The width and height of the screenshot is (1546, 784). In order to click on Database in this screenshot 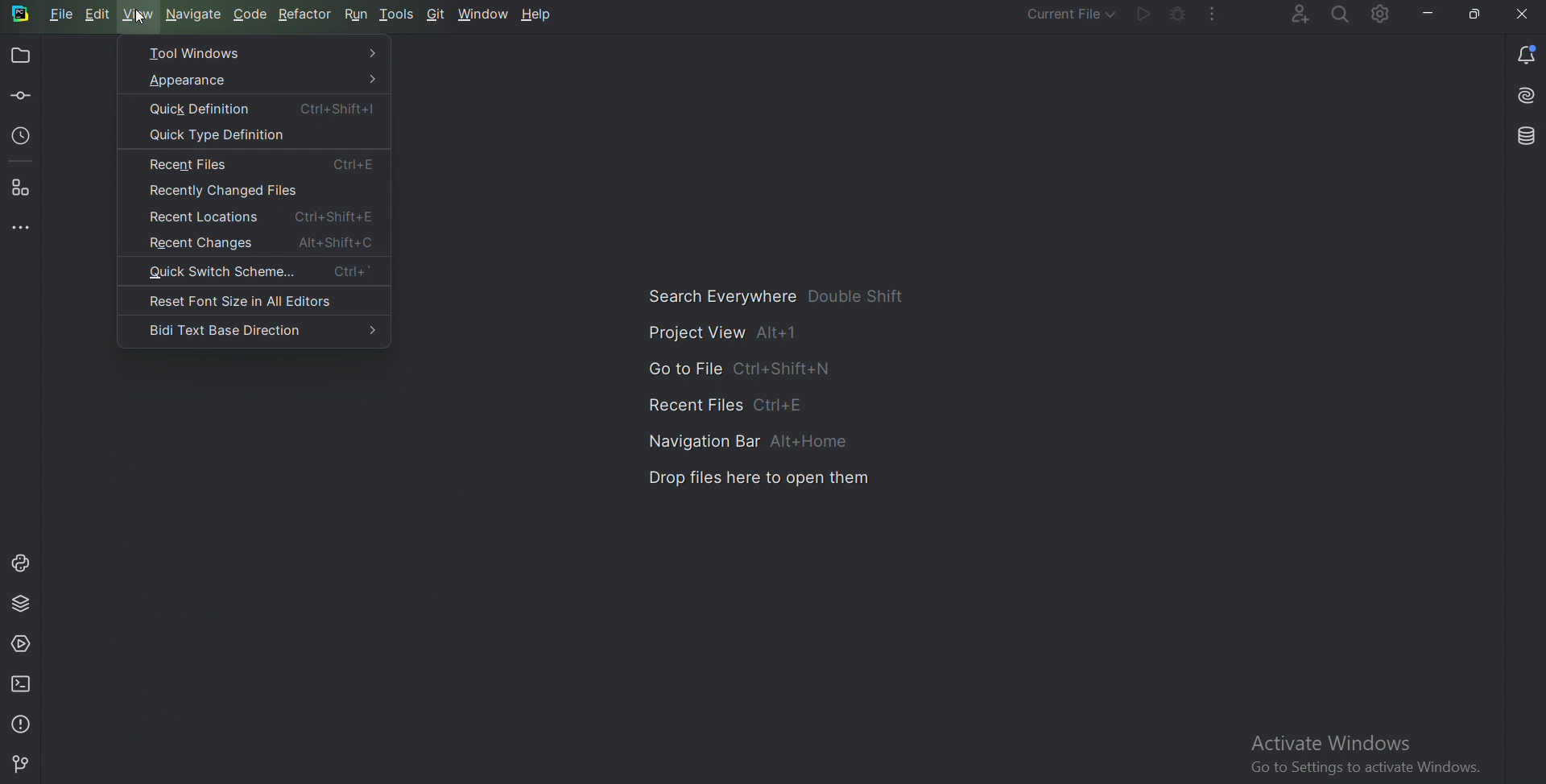, I will do `click(1516, 138)`.